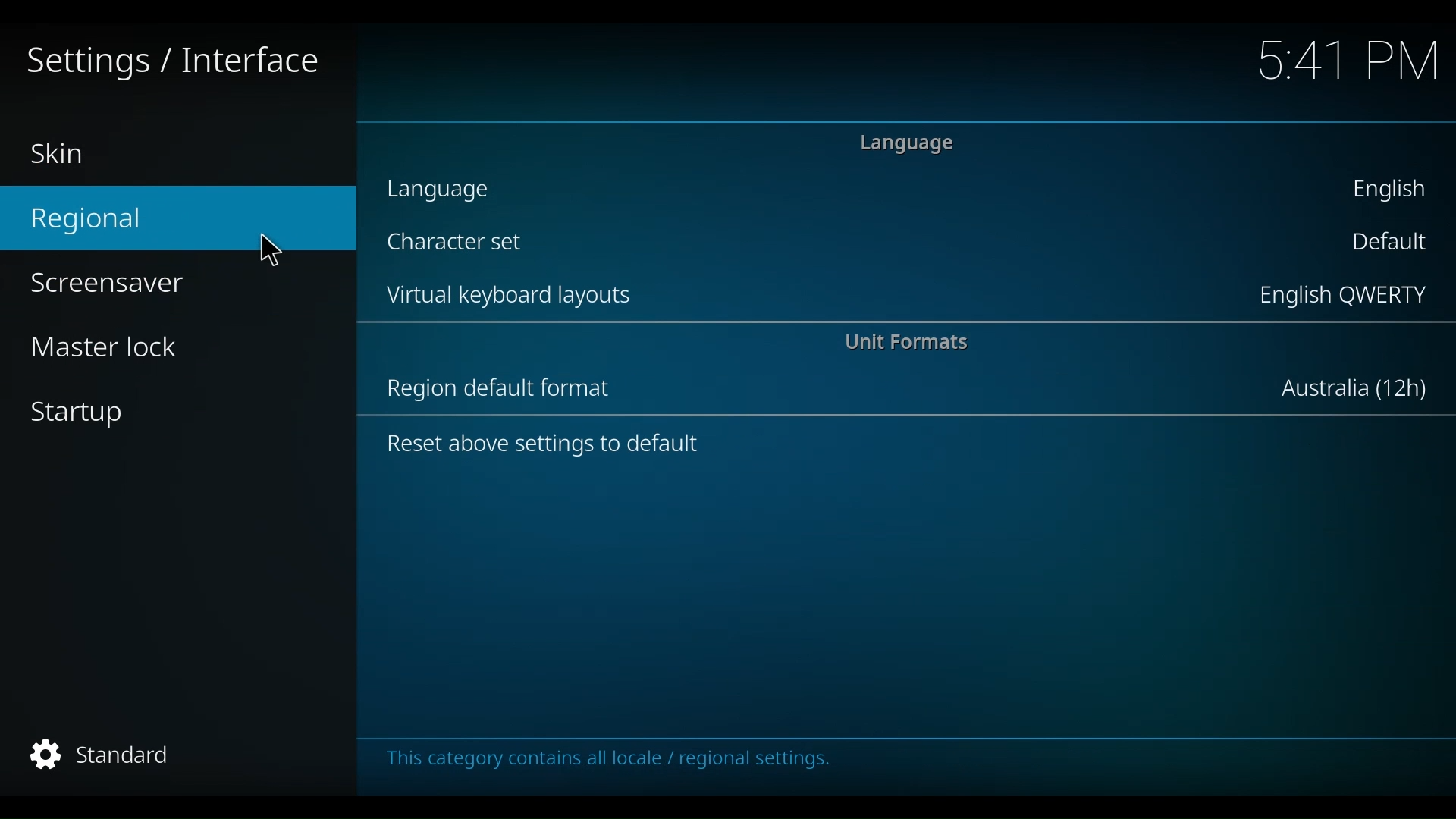 Image resolution: width=1456 pixels, height=819 pixels. What do you see at coordinates (918, 145) in the screenshot?
I see `Language` at bounding box center [918, 145].